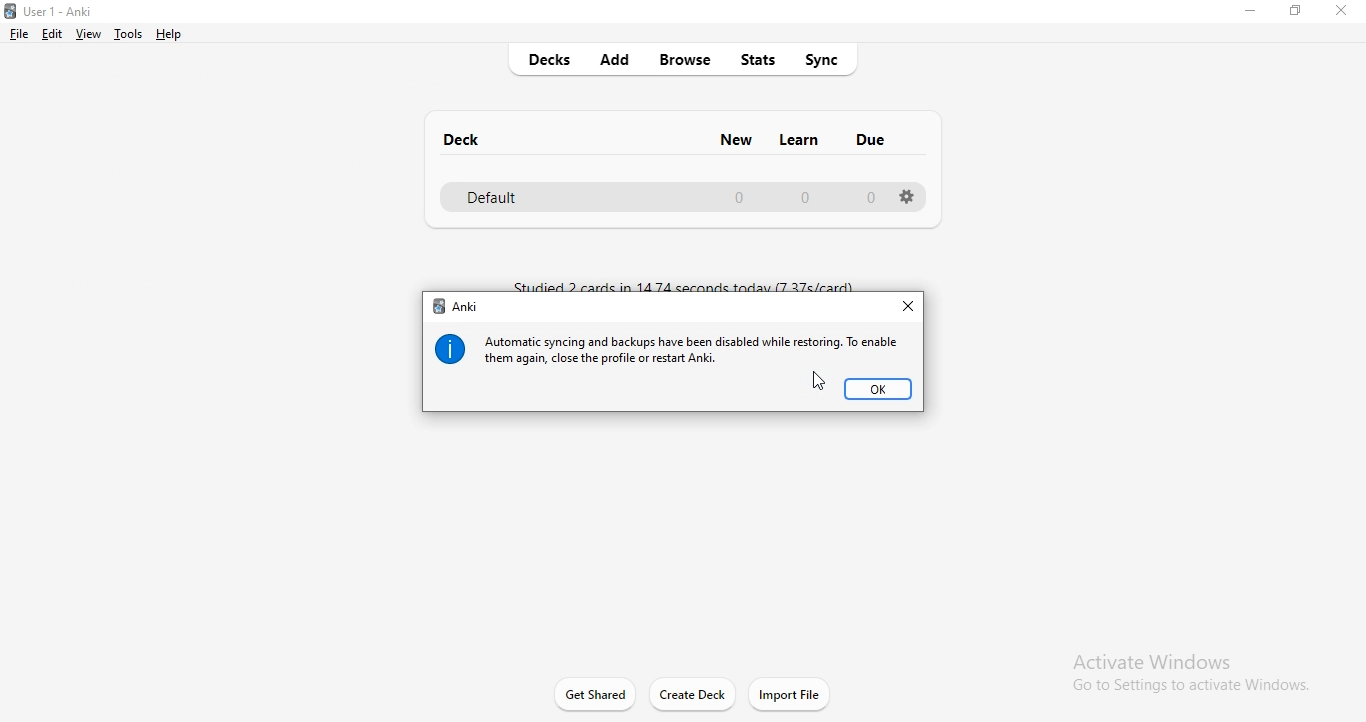 The image size is (1366, 722). Describe the element at coordinates (129, 34) in the screenshot. I see `tools` at that location.